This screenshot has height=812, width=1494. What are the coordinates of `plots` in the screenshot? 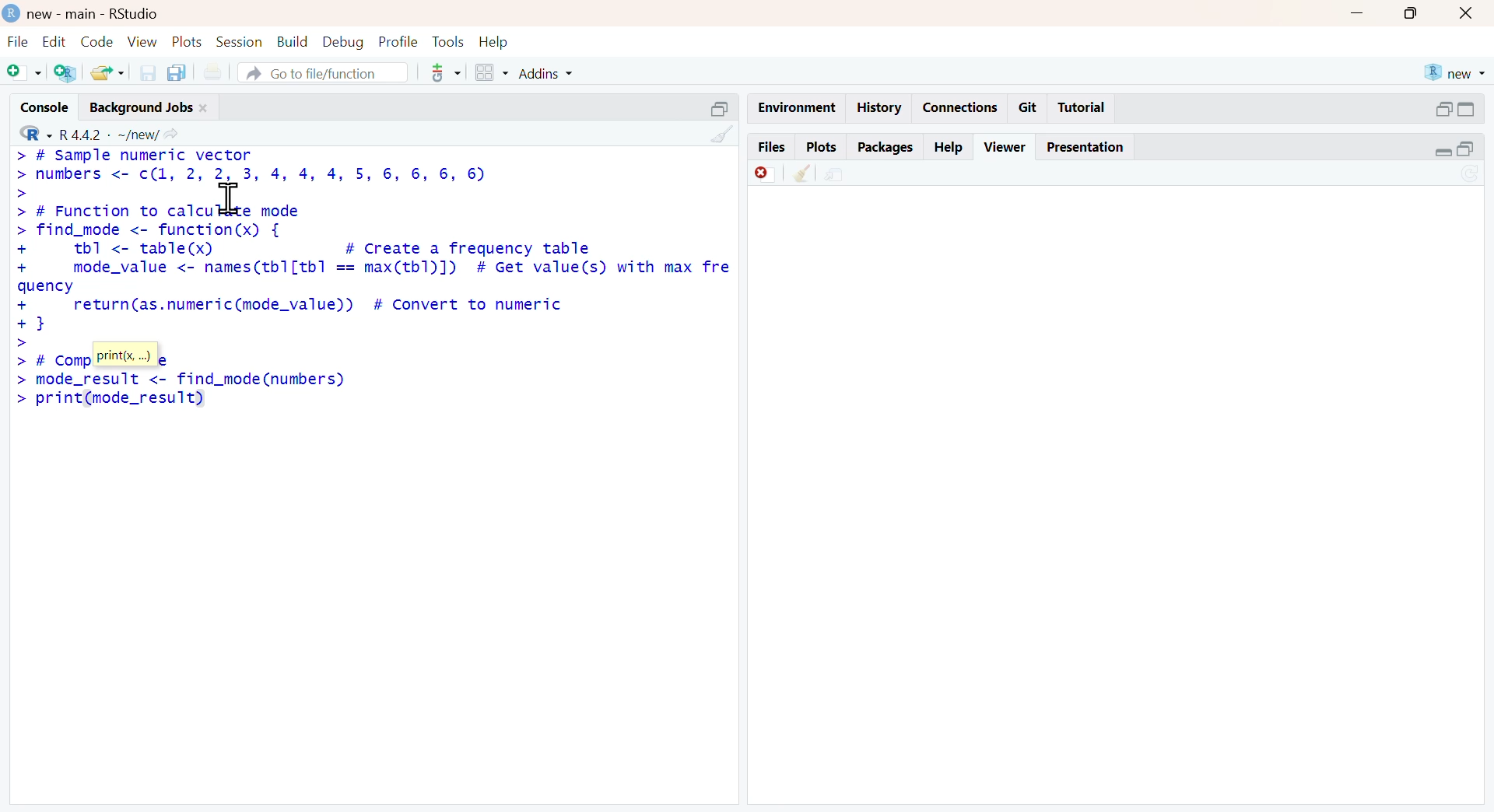 It's located at (188, 41).